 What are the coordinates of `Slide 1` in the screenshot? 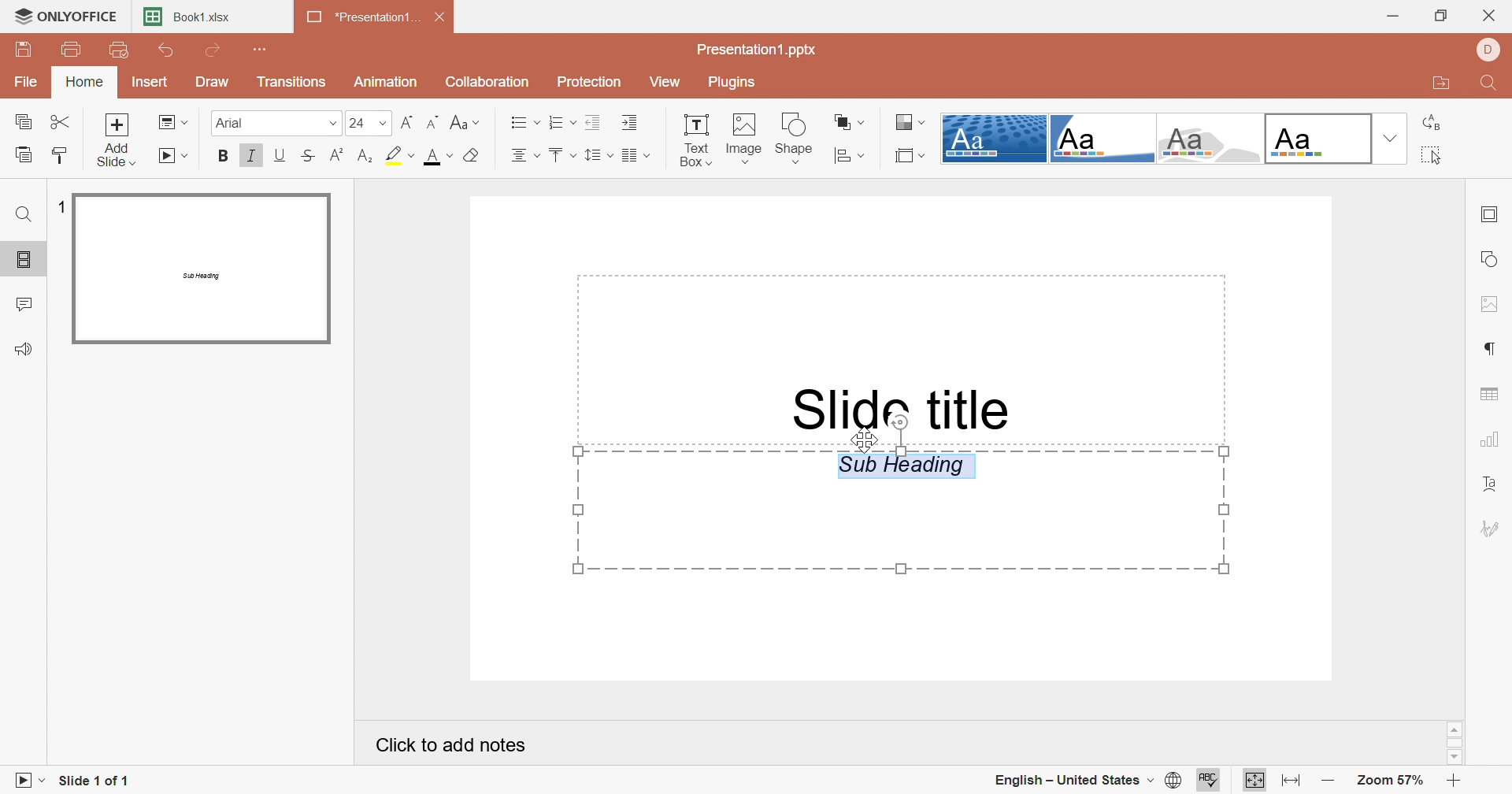 It's located at (202, 269).